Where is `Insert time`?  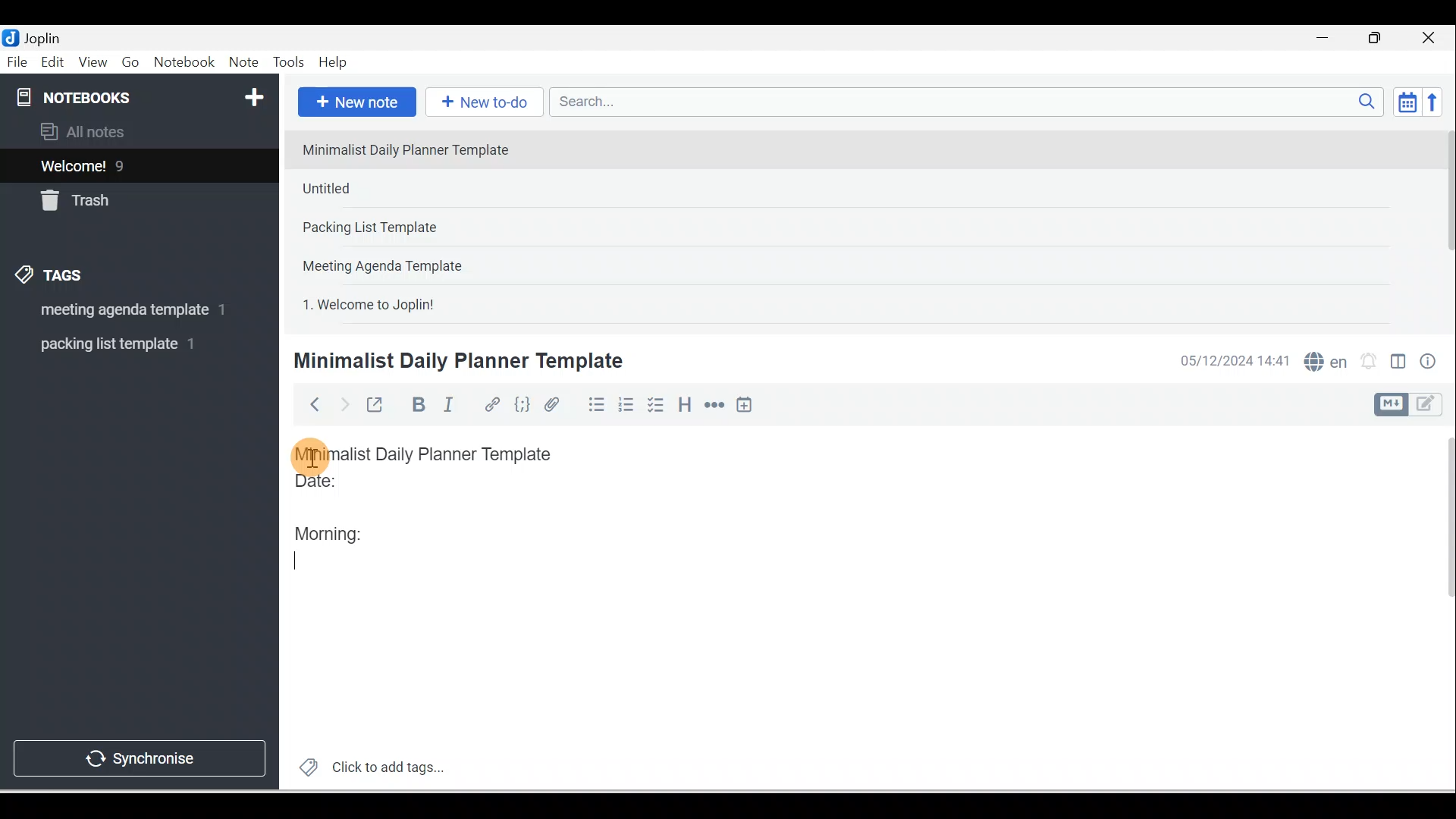 Insert time is located at coordinates (744, 406).